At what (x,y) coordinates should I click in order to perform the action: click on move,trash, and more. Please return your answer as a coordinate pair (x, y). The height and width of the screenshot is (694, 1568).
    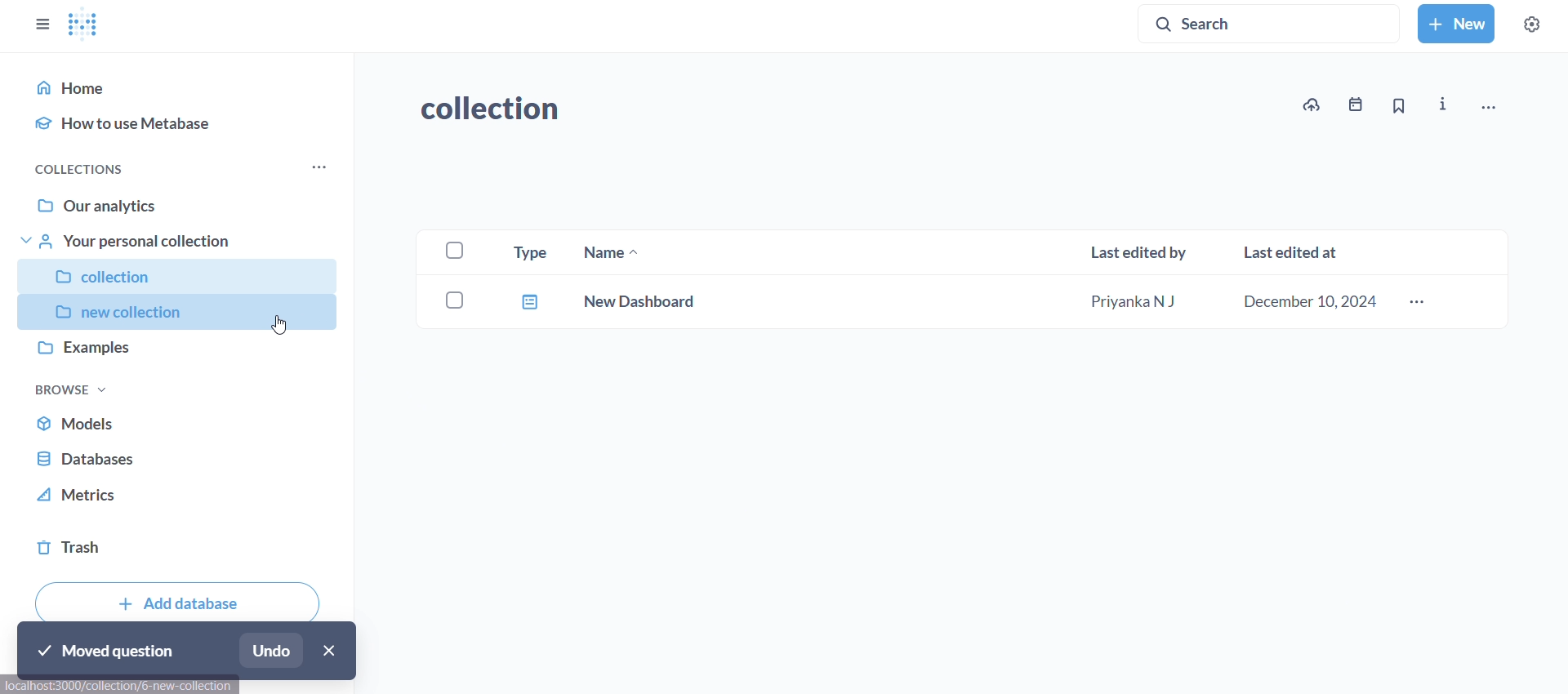
    Looking at the image, I should click on (1487, 109).